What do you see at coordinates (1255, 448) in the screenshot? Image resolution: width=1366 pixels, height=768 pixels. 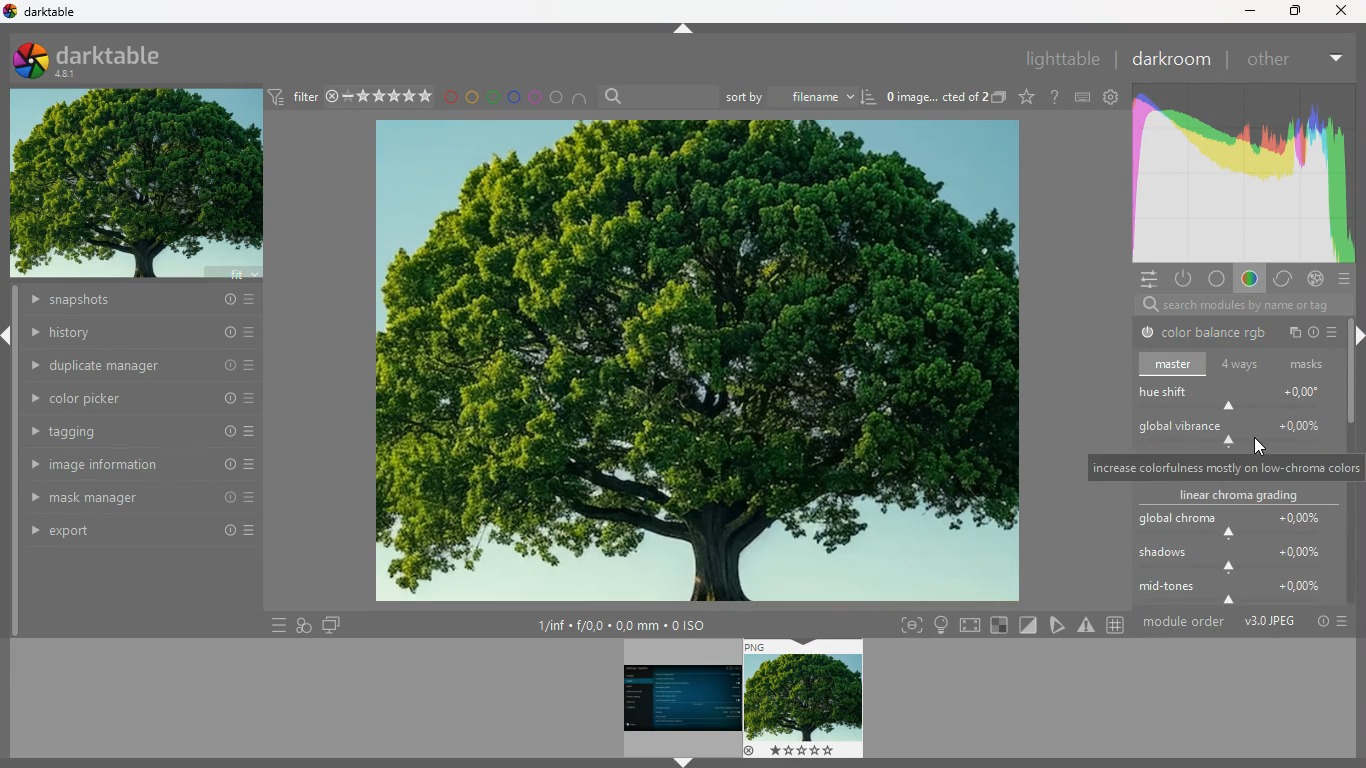 I see `cursor` at bounding box center [1255, 448].